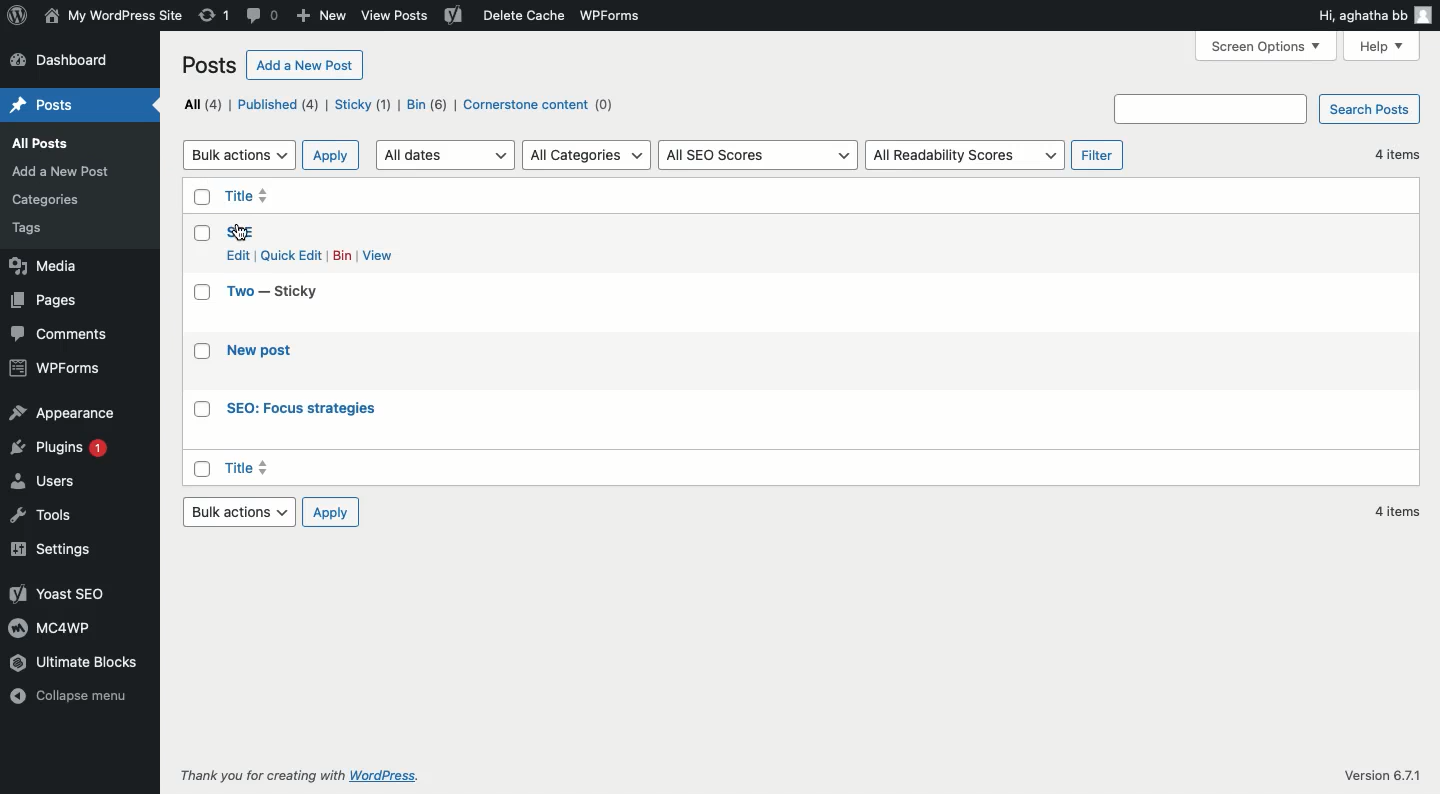 This screenshot has height=794, width=1440. What do you see at coordinates (495, 16) in the screenshot?
I see `Delete Cache` at bounding box center [495, 16].